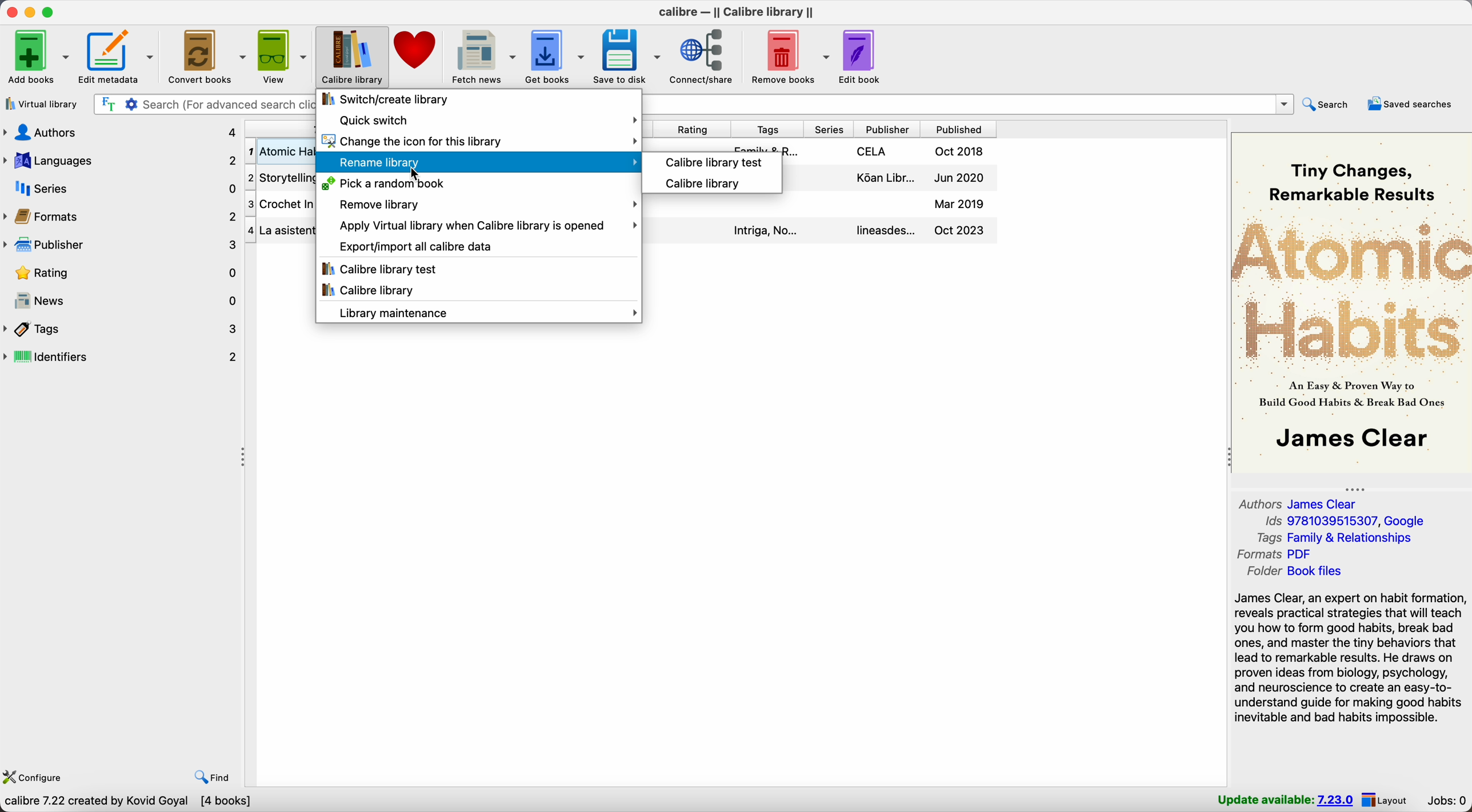 The width and height of the screenshot is (1472, 812). What do you see at coordinates (413, 174) in the screenshot?
I see `cursor` at bounding box center [413, 174].